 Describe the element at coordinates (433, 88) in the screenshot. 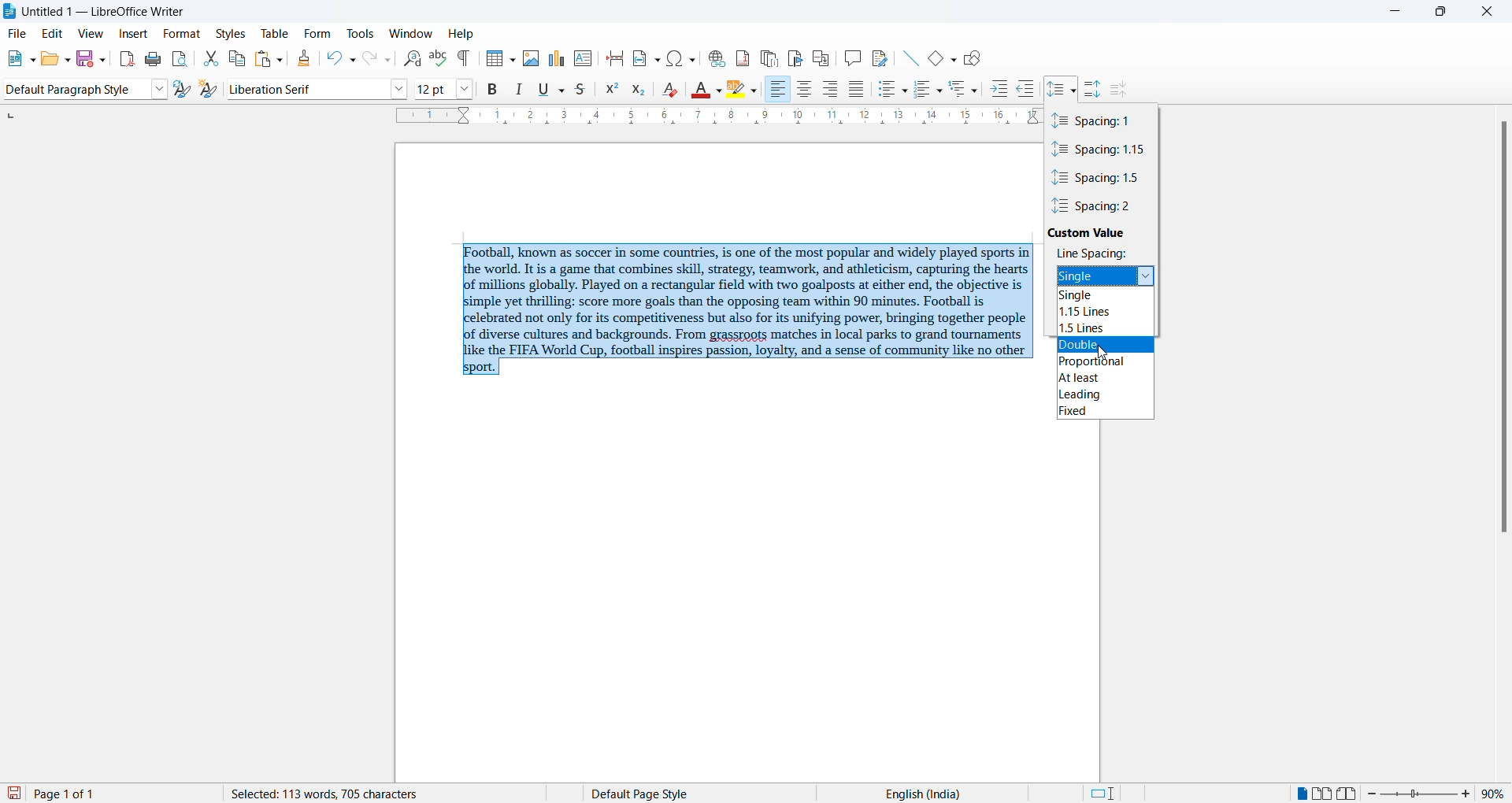

I see `font size` at that location.